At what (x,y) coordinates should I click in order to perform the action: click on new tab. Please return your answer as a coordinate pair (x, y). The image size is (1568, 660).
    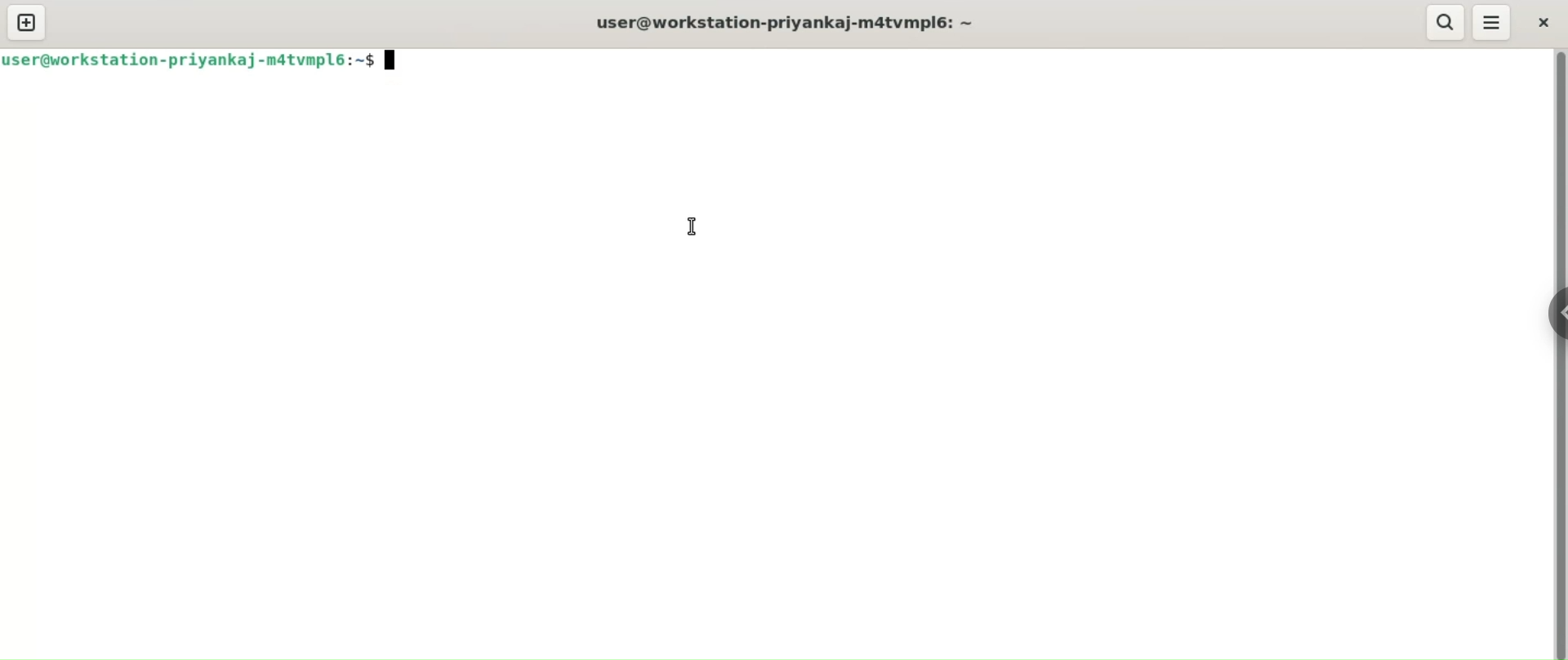
    Looking at the image, I should click on (25, 22).